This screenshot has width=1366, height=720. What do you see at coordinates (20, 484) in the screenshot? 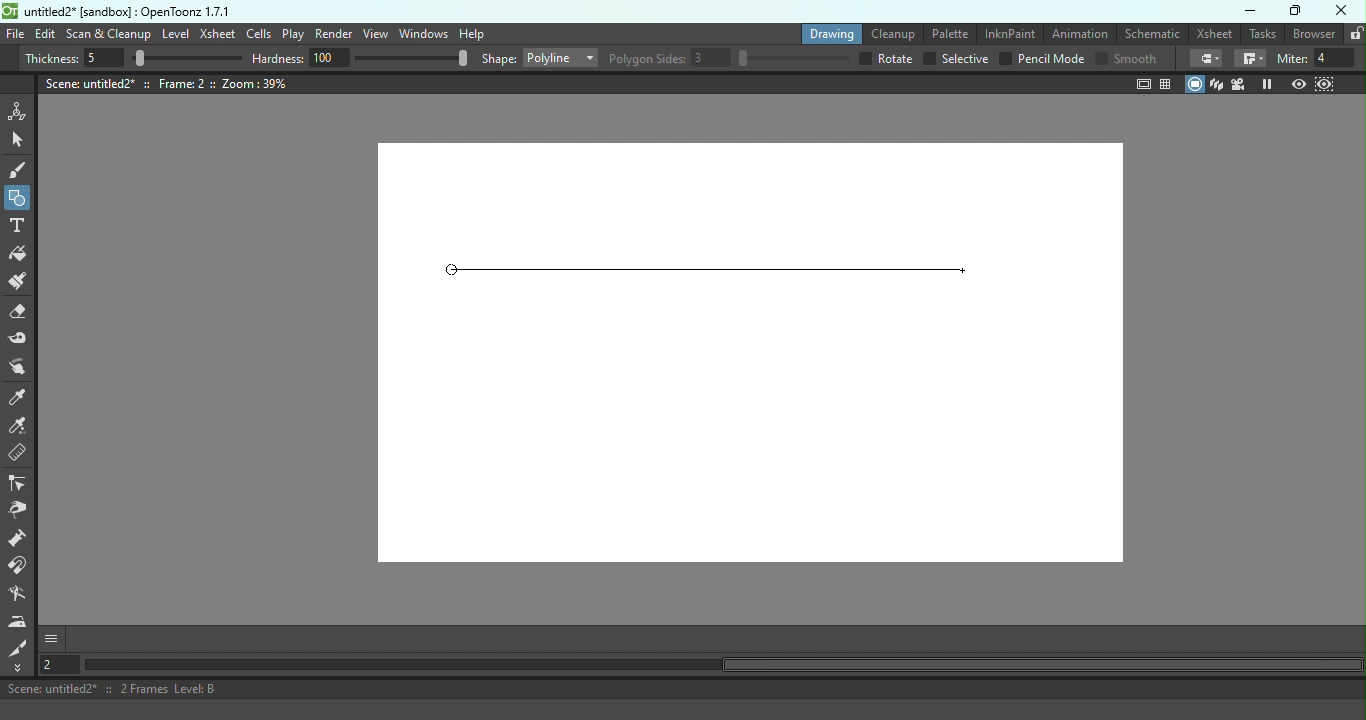
I see `Control point editor tool` at bounding box center [20, 484].